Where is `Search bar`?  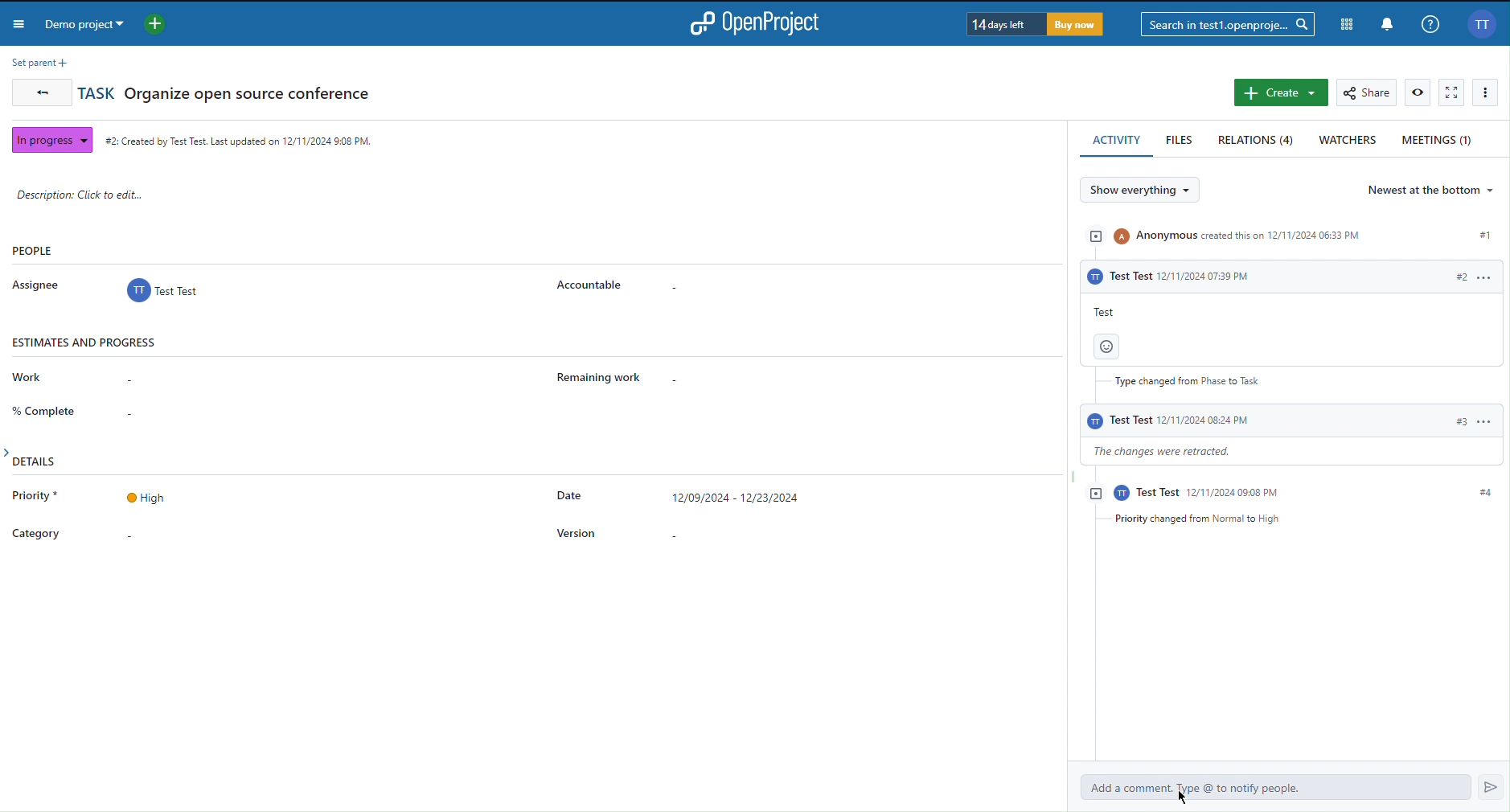
Search bar is located at coordinates (1226, 23).